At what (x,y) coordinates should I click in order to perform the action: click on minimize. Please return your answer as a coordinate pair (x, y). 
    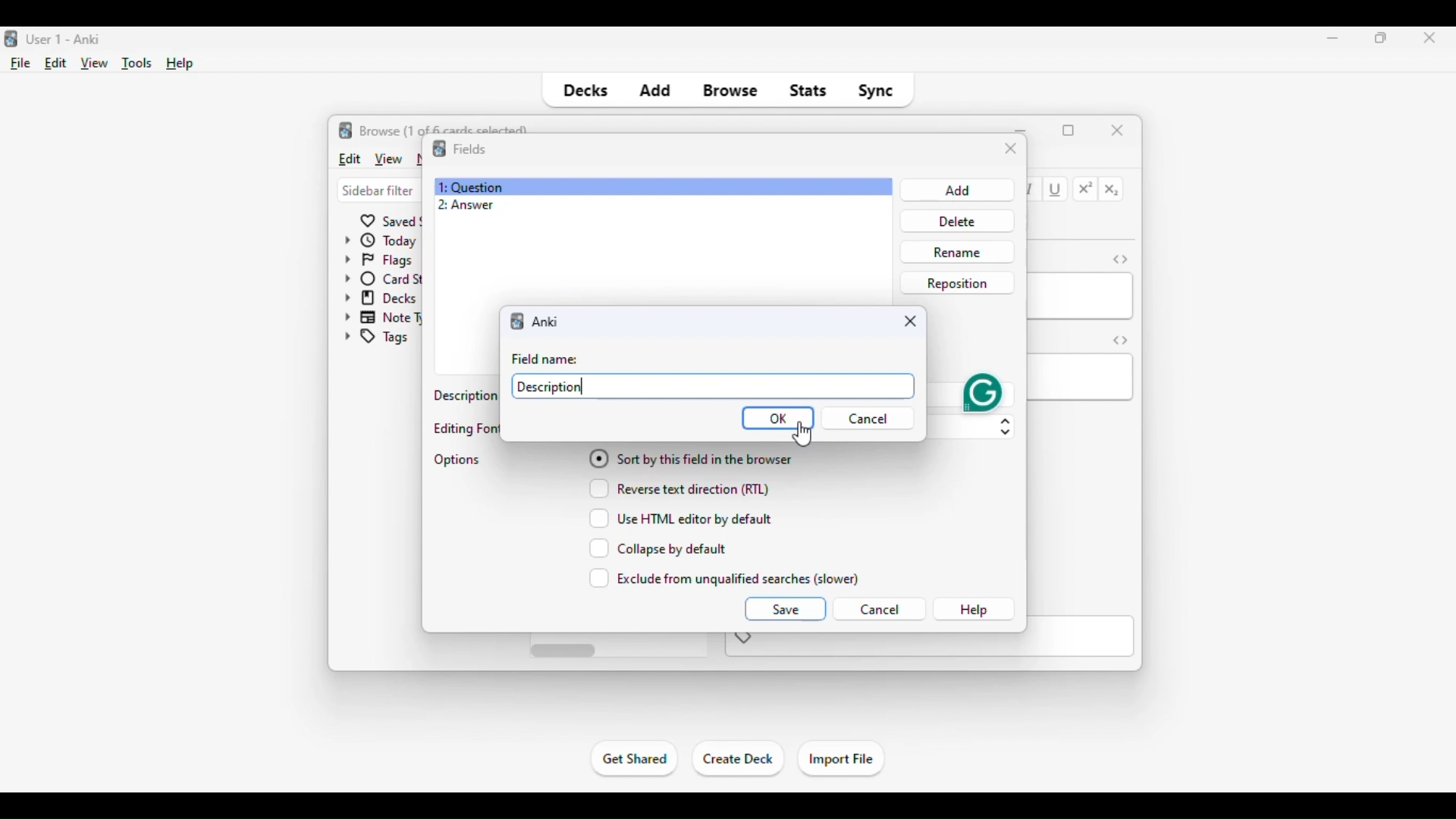
    Looking at the image, I should click on (1022, 129).